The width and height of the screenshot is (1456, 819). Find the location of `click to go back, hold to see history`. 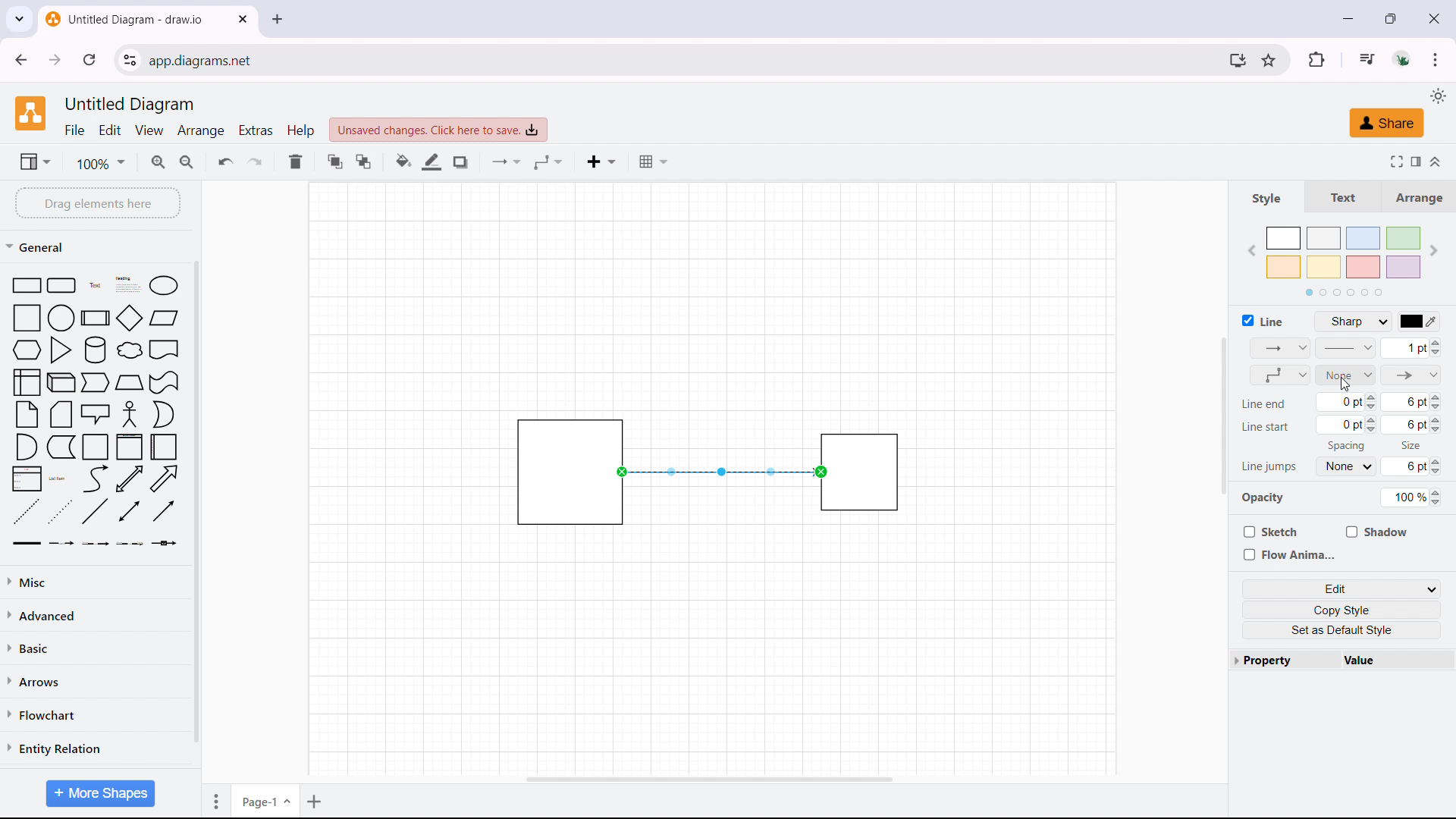

click to go back, hold to see history is located at coordinates (20, 59).